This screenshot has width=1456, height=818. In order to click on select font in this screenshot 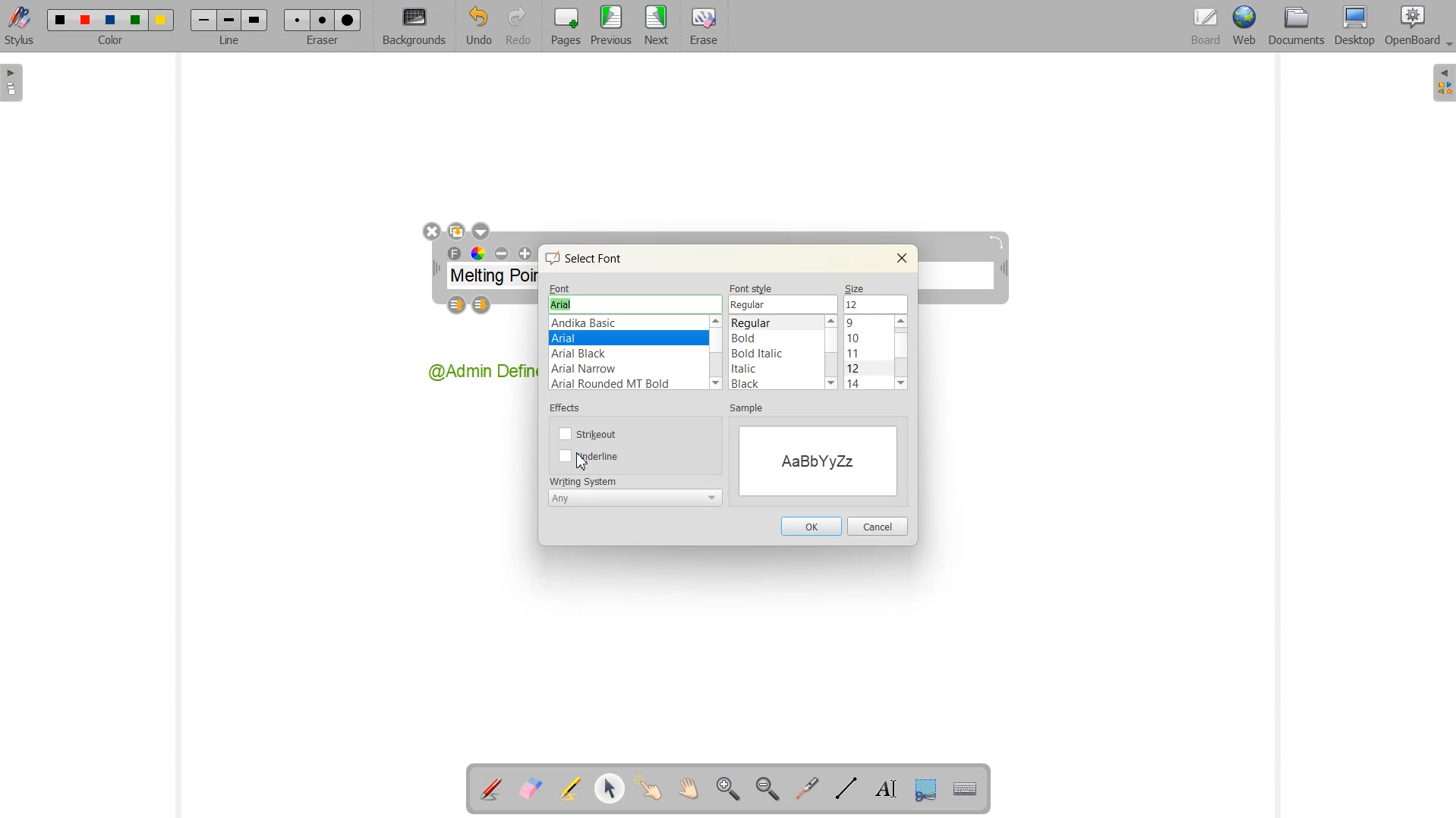, I will do `click(591, 258)`.